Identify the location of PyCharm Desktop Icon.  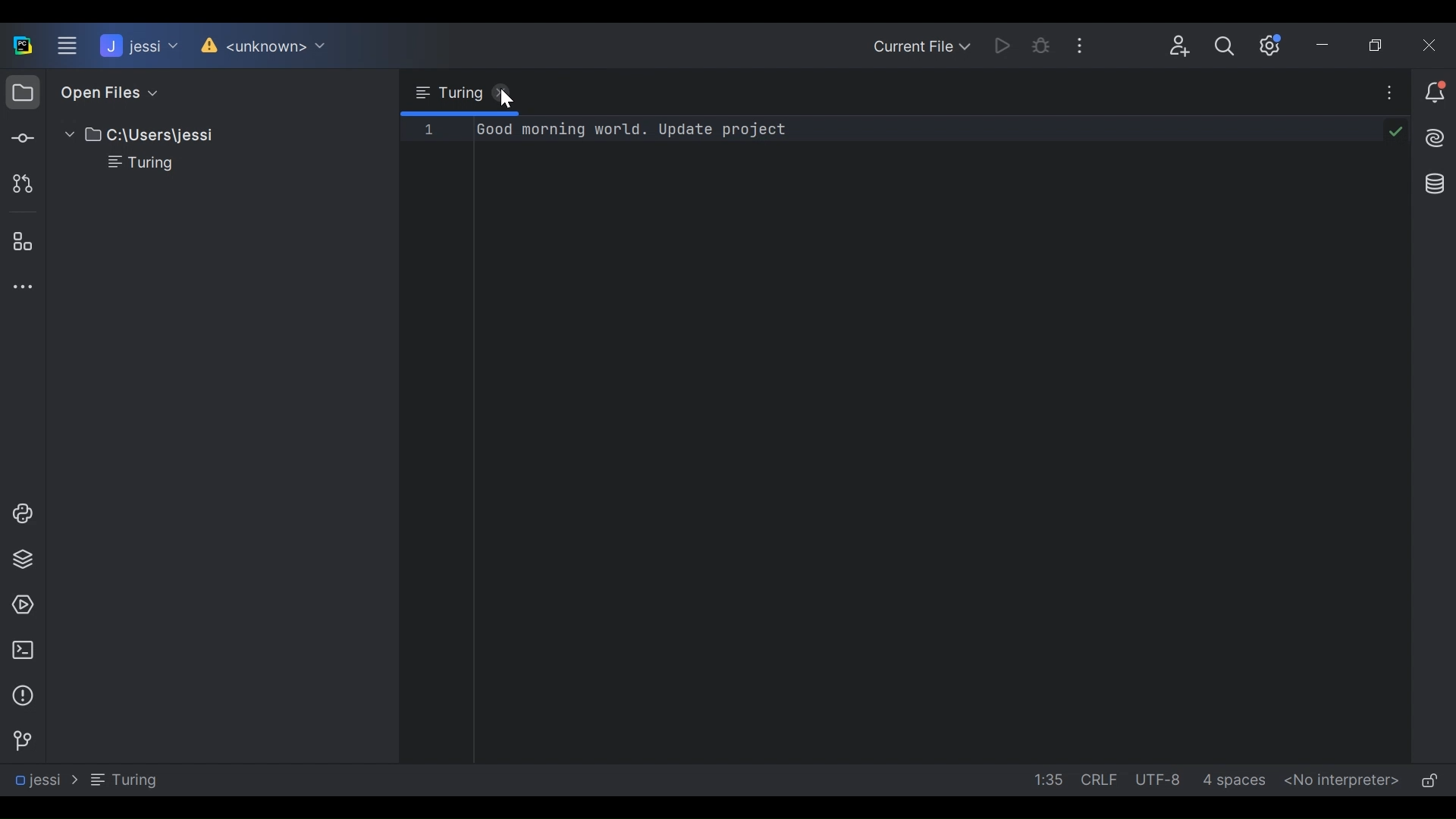
(23, 47).